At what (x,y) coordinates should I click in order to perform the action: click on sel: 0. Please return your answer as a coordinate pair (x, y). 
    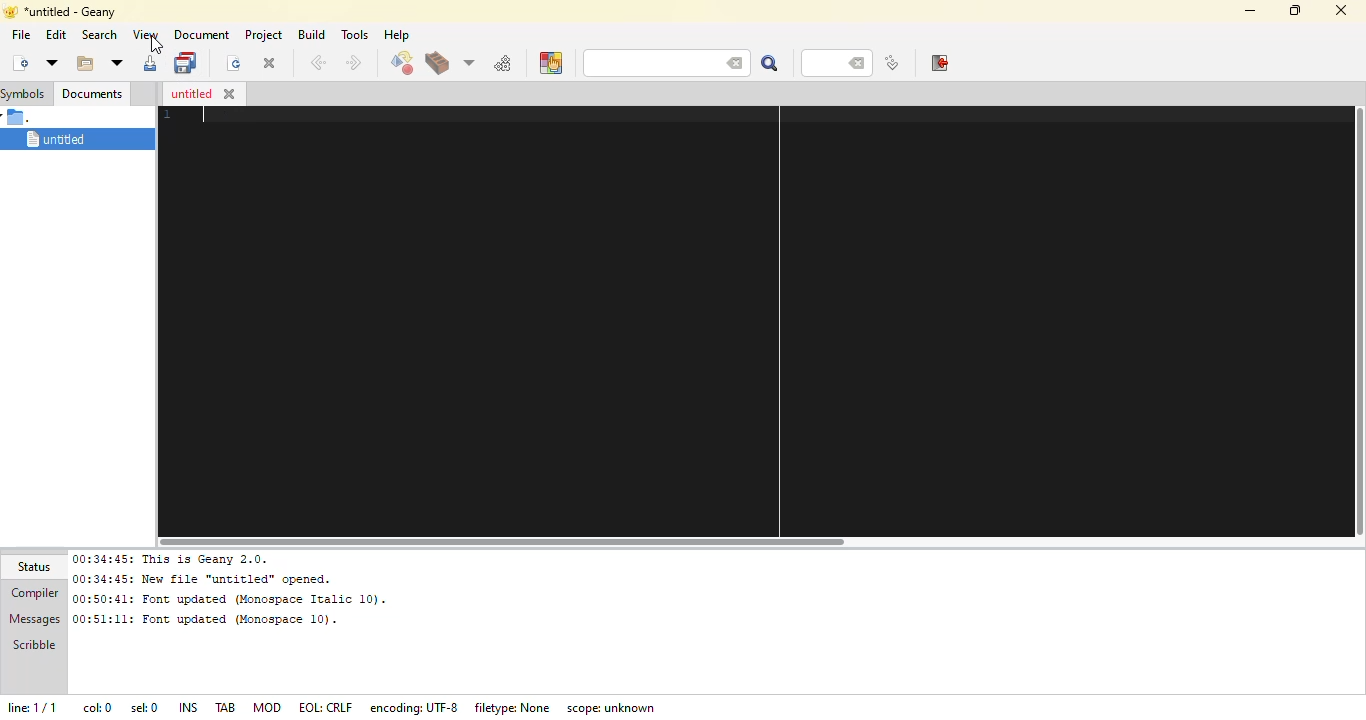
    Looking at the image, I should click on (142, 708).